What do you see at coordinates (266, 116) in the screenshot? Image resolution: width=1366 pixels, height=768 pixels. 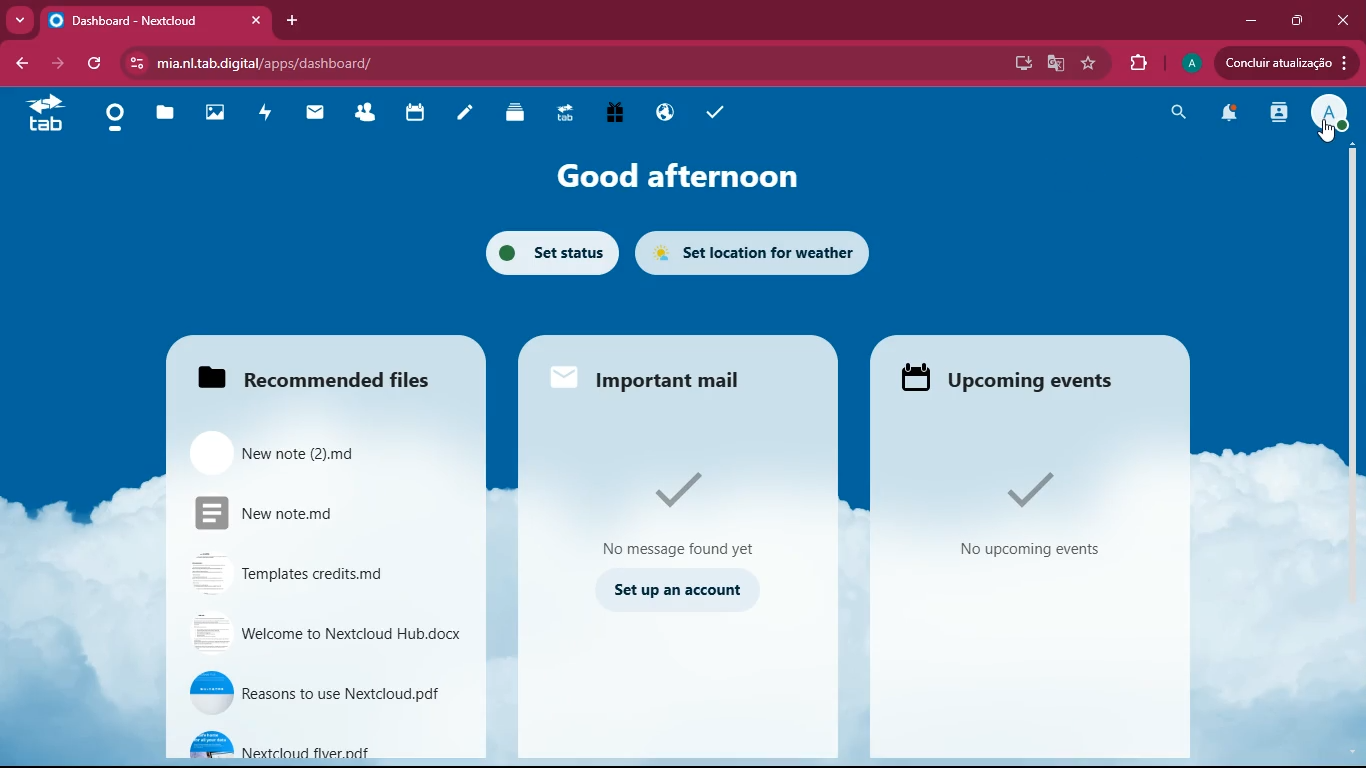 I see `activity` at bounding box center [266, 116].